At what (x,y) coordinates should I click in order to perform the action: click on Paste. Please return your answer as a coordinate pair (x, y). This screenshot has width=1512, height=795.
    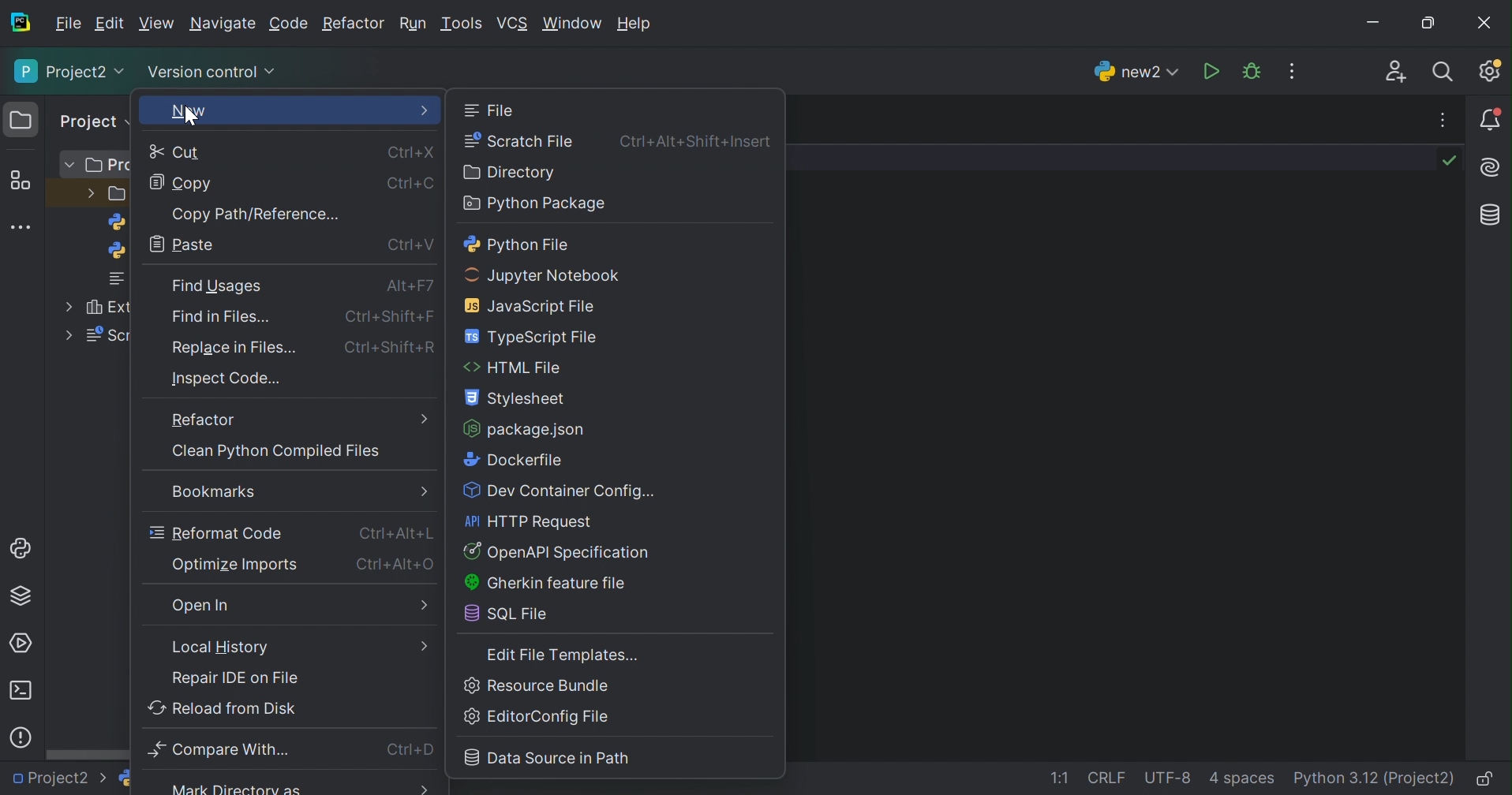
    Looking at the image, I should click on (185, 244).